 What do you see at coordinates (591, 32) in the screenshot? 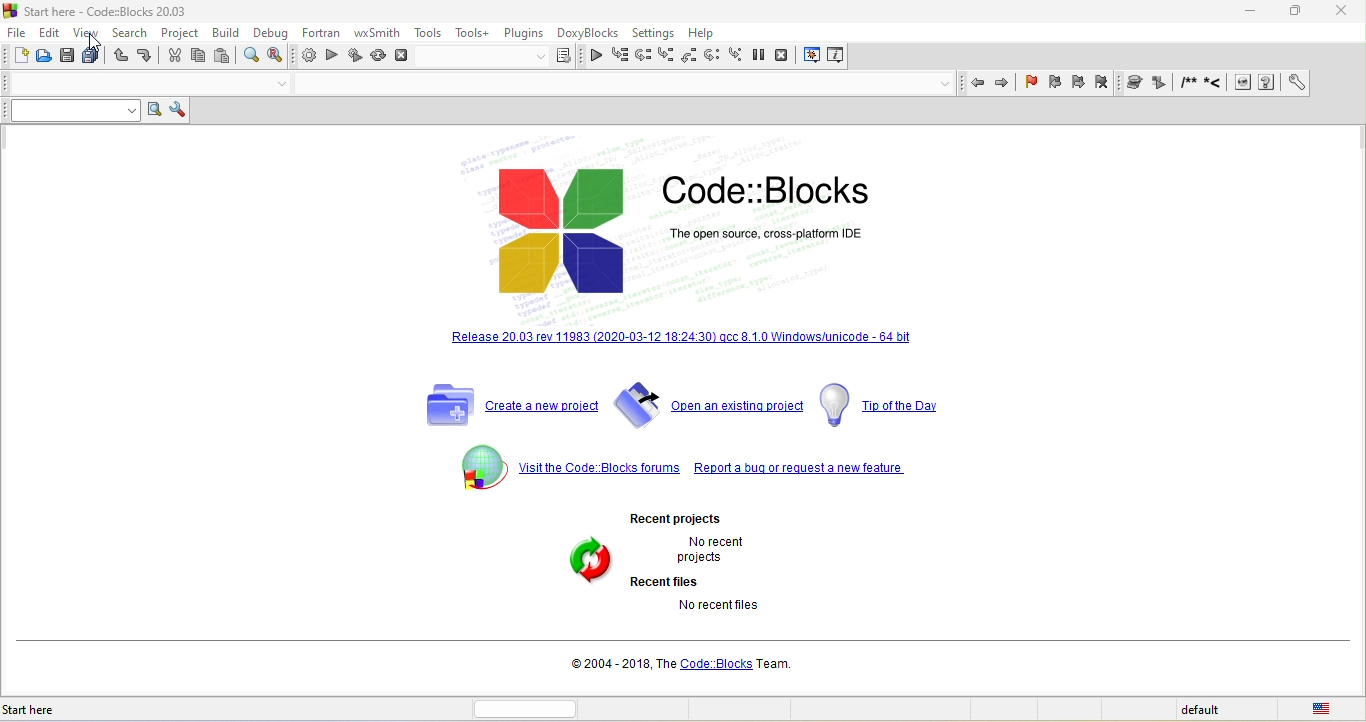
I see `doxyblocks` at bounding box center [591, 32].